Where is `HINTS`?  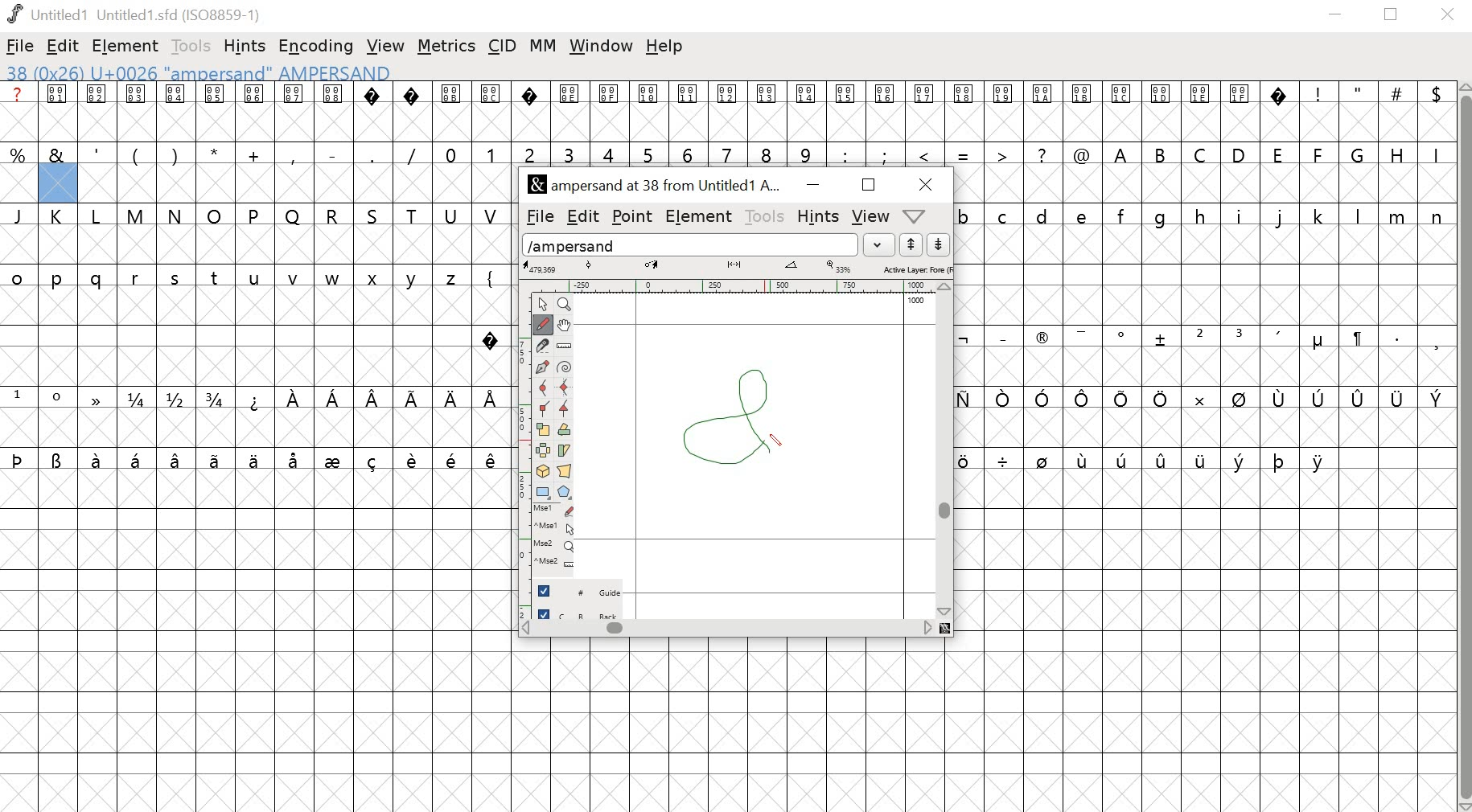
HINTS is located at coordinates (817, 218).